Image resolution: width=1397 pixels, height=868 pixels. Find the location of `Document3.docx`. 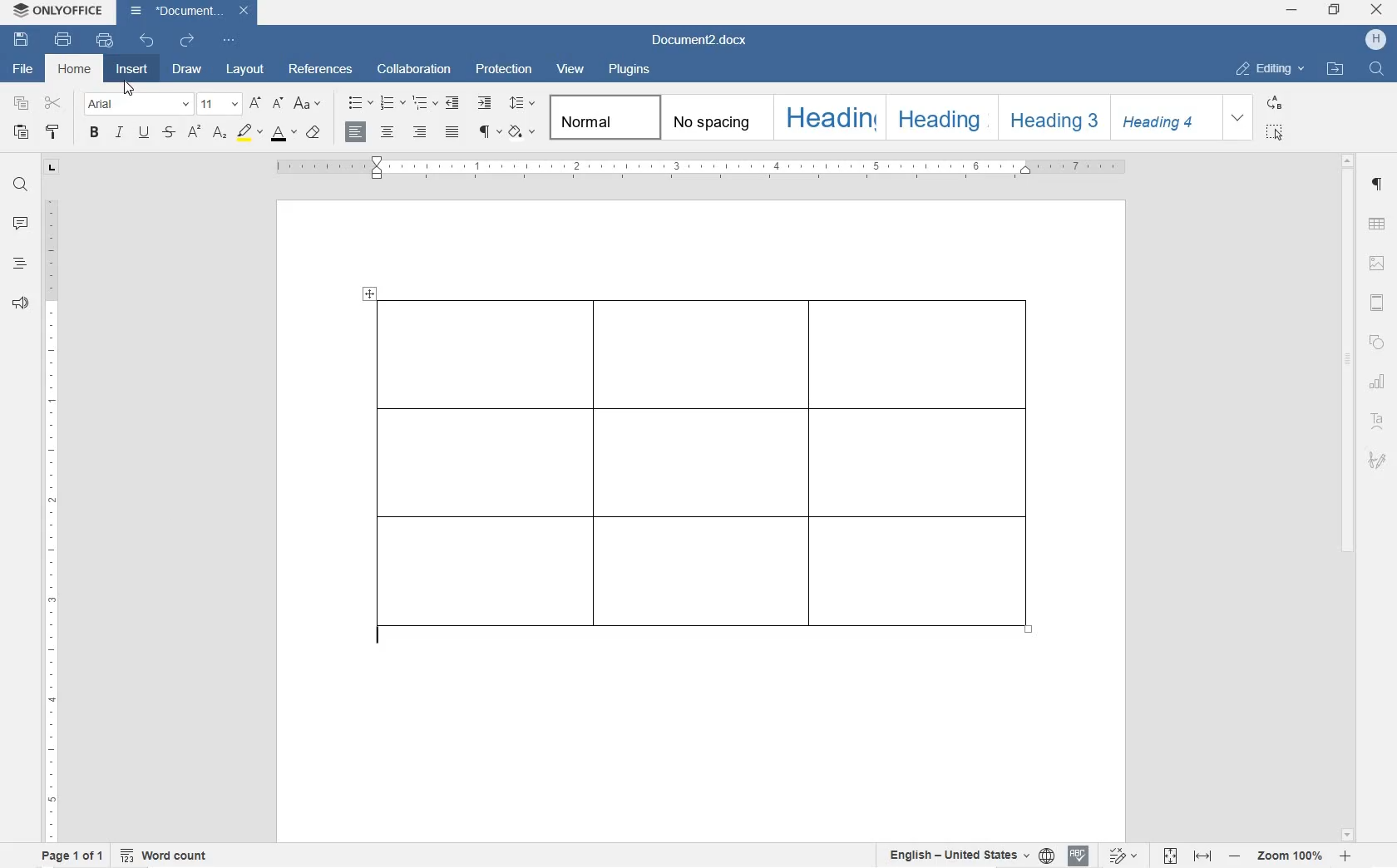

Document3.docx is located at coordinates (189, 12).